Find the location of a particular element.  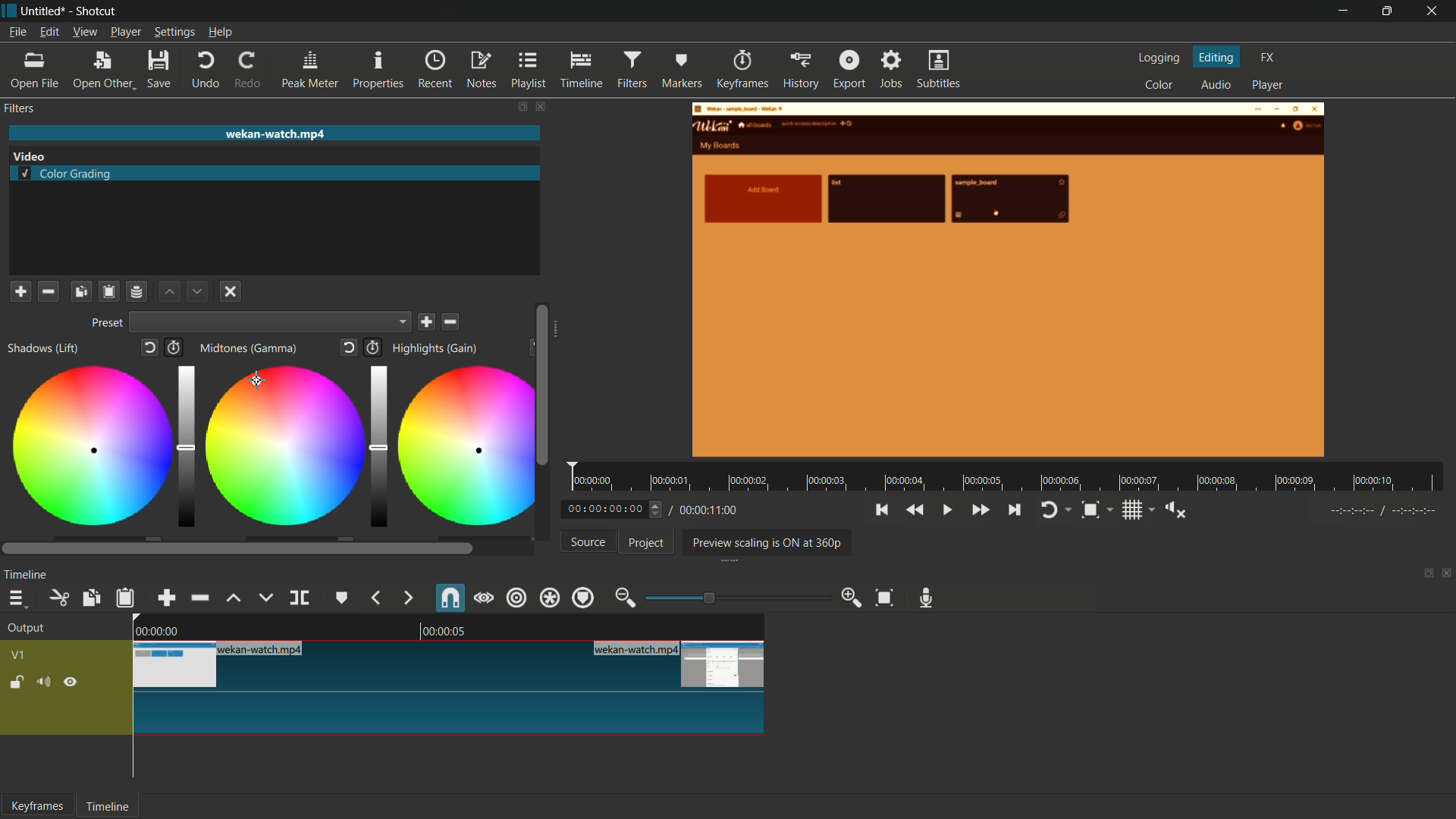

save is located at coordinates (426, 322).